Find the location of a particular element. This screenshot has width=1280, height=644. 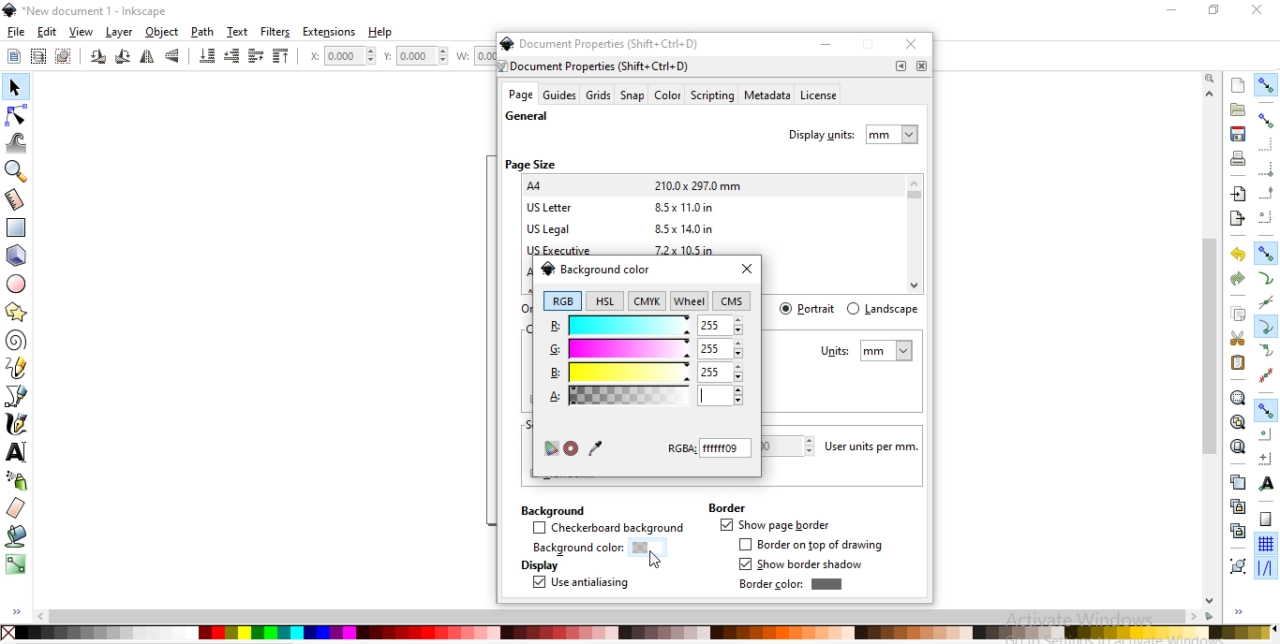

flip horizontally is located at coordinates (150, 57).